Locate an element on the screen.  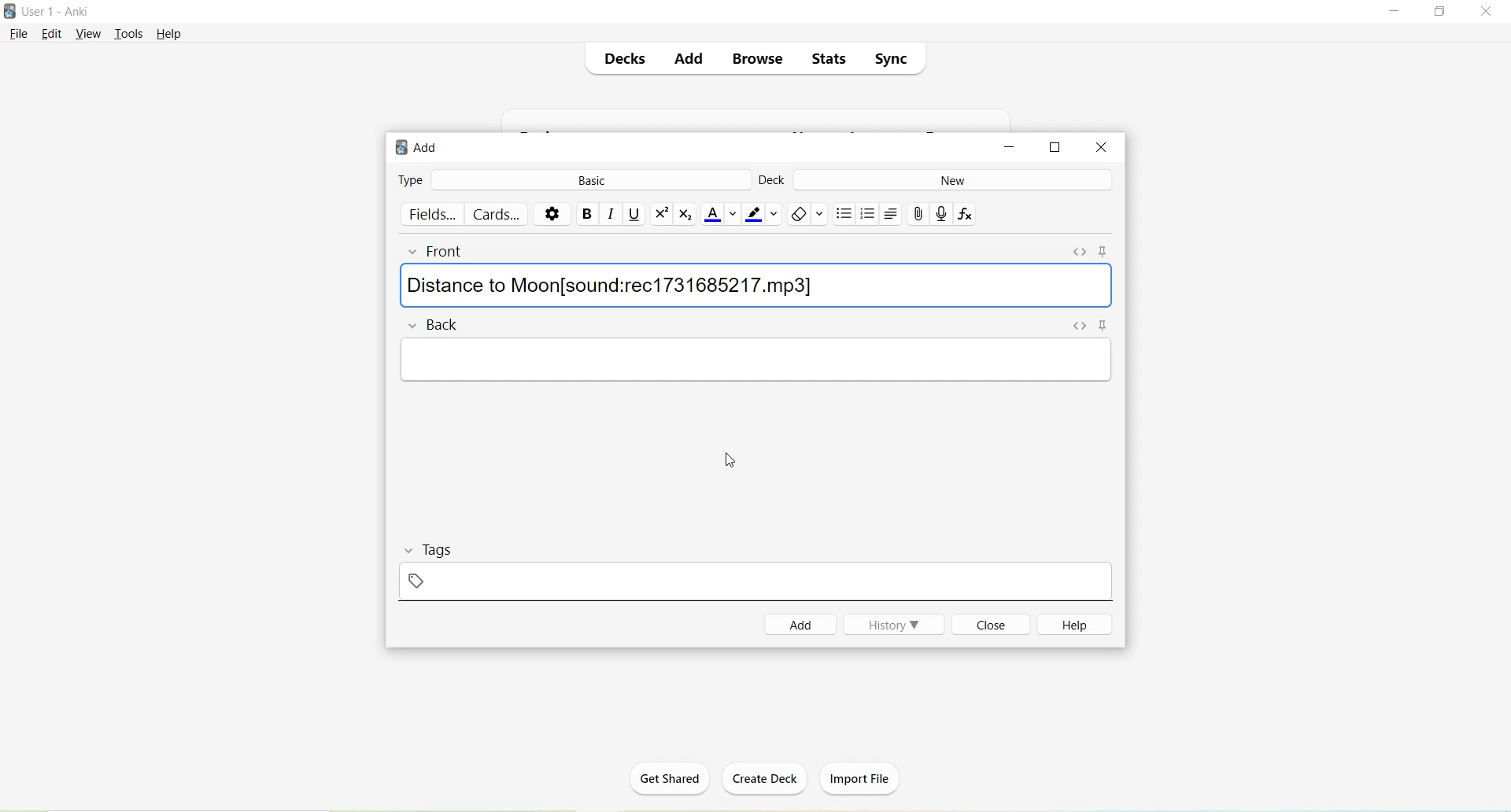
Cards.. is located at coordinates (498, 214).